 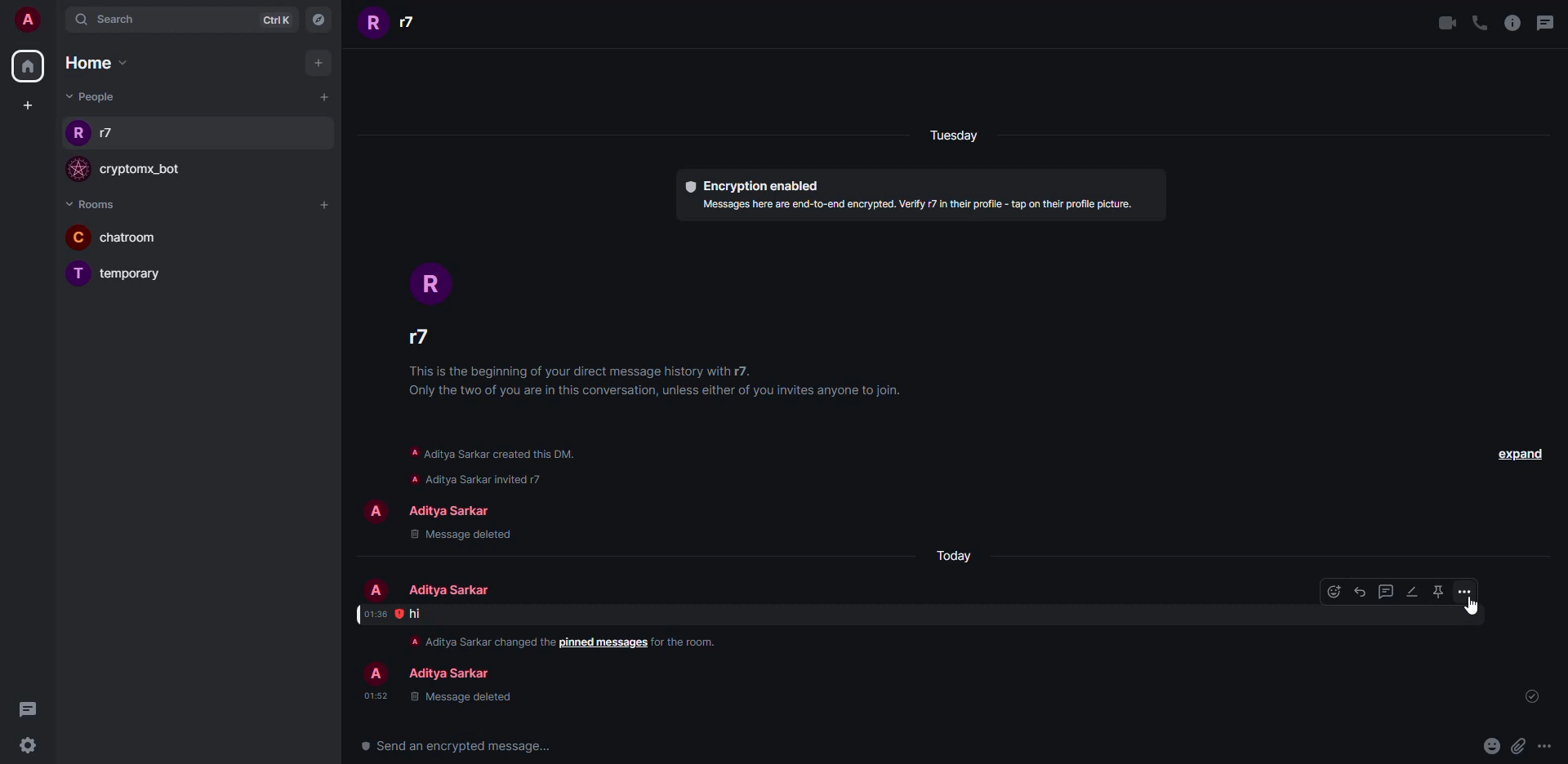 What do you see at coordinates (1478, 608) in the screenshot?
I see `cursor` at bounding box center [1478, 608].